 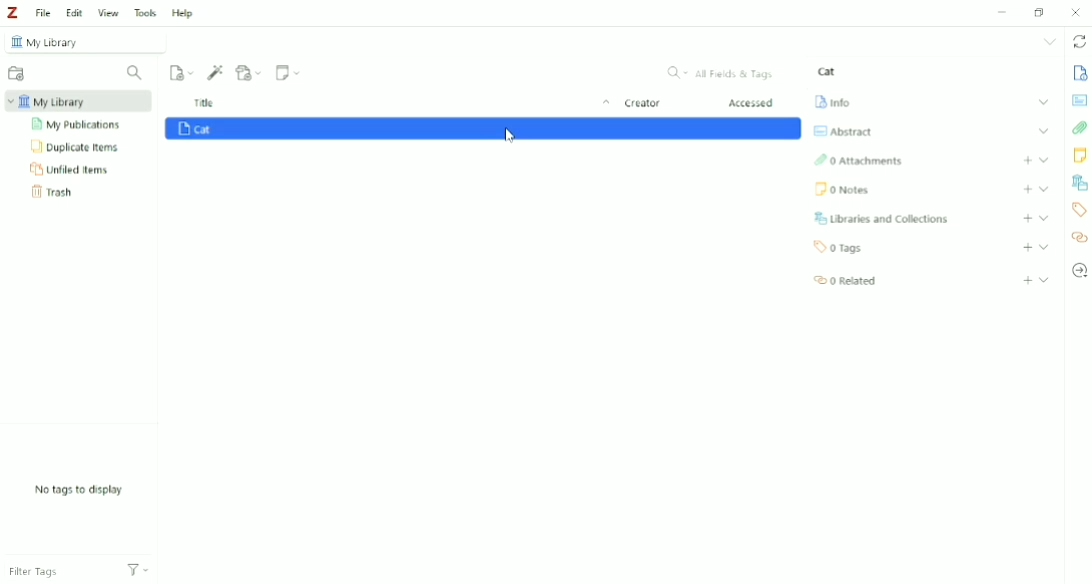 I want to click on Tags, so click(x=839, y=247).